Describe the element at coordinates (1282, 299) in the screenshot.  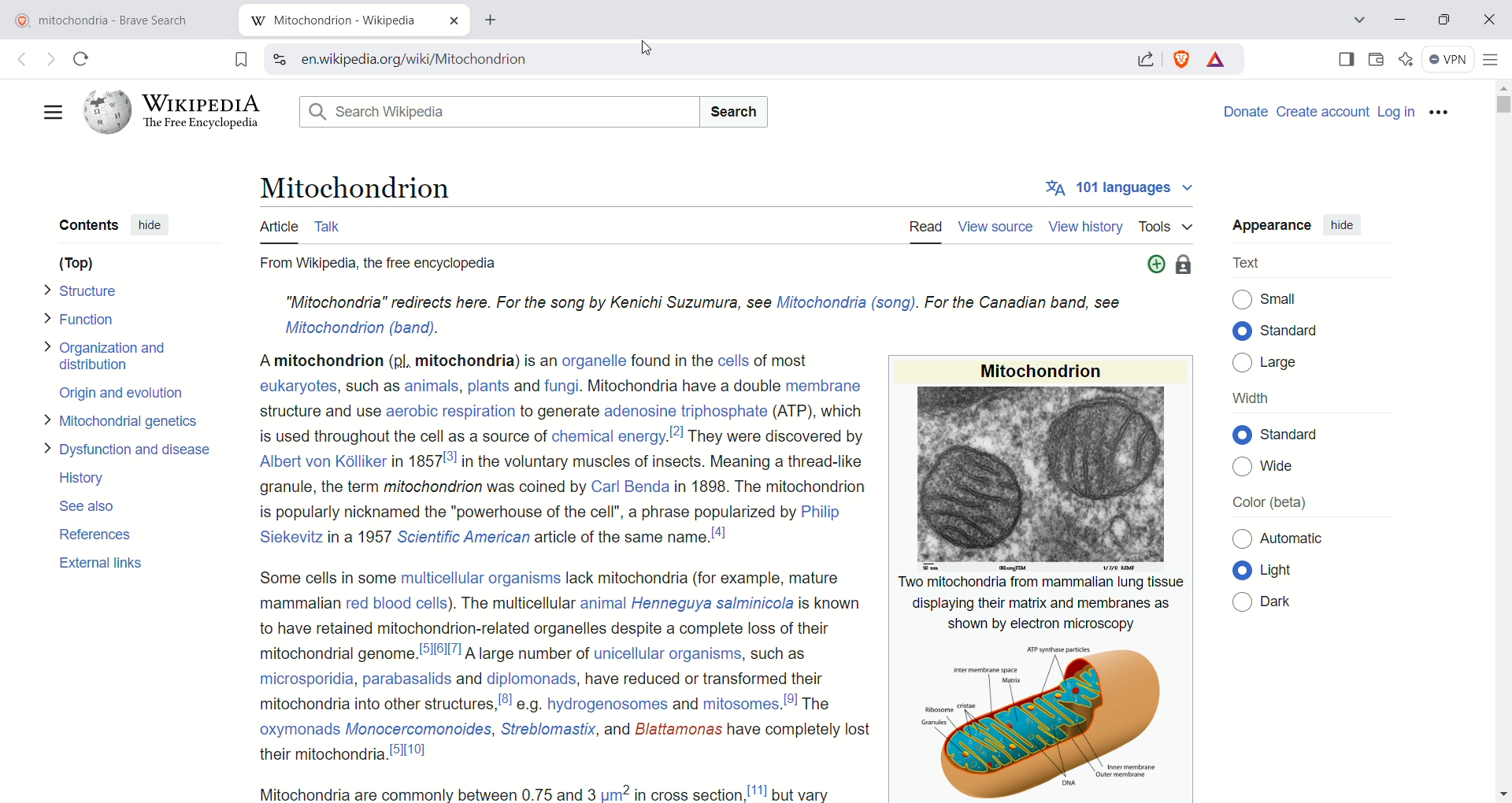
I see `Small` at that location.